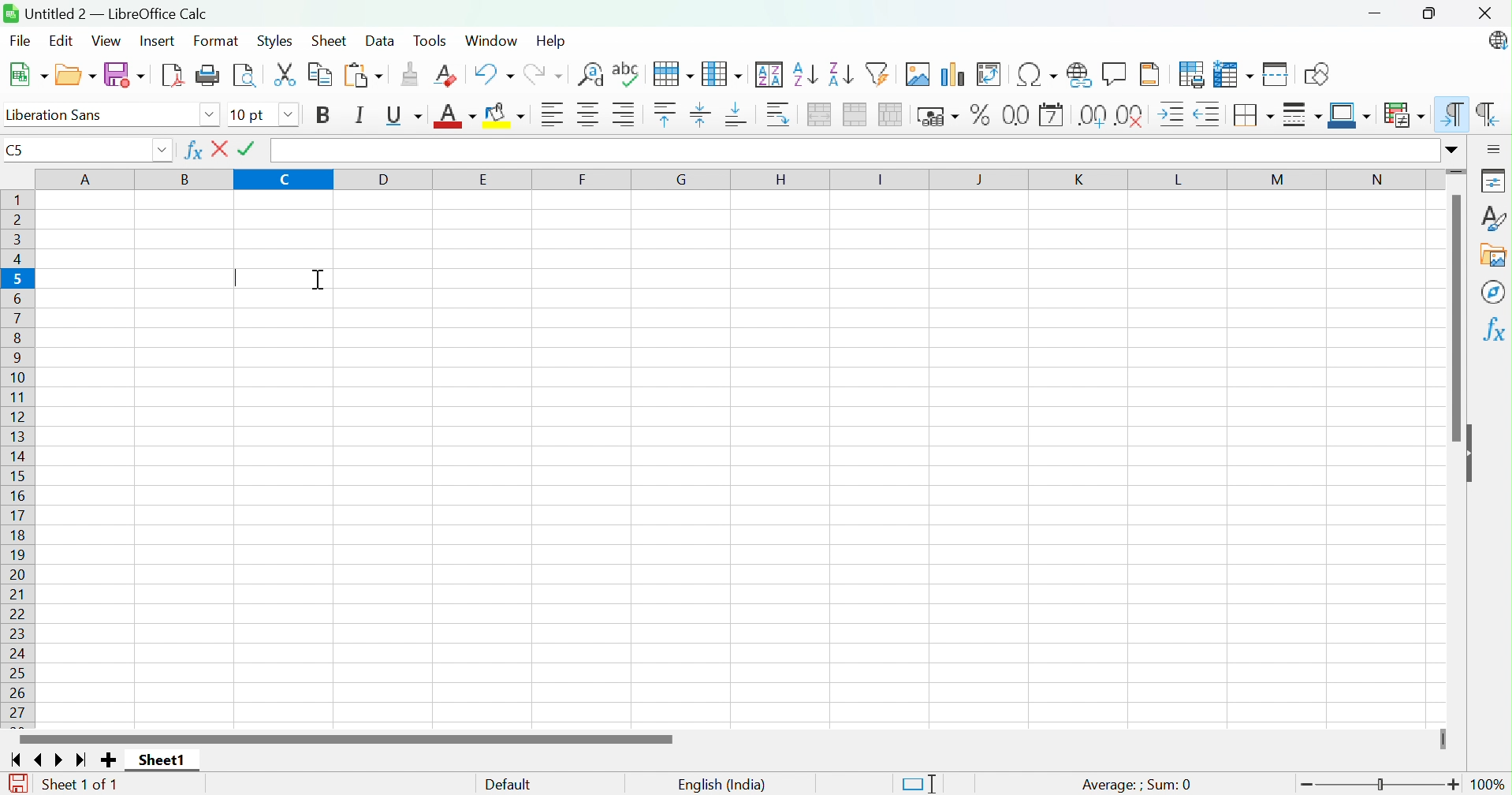  Describe the element at coordinates (1495, 150) in the screenshot. I see `Sidebar settings` at that location.